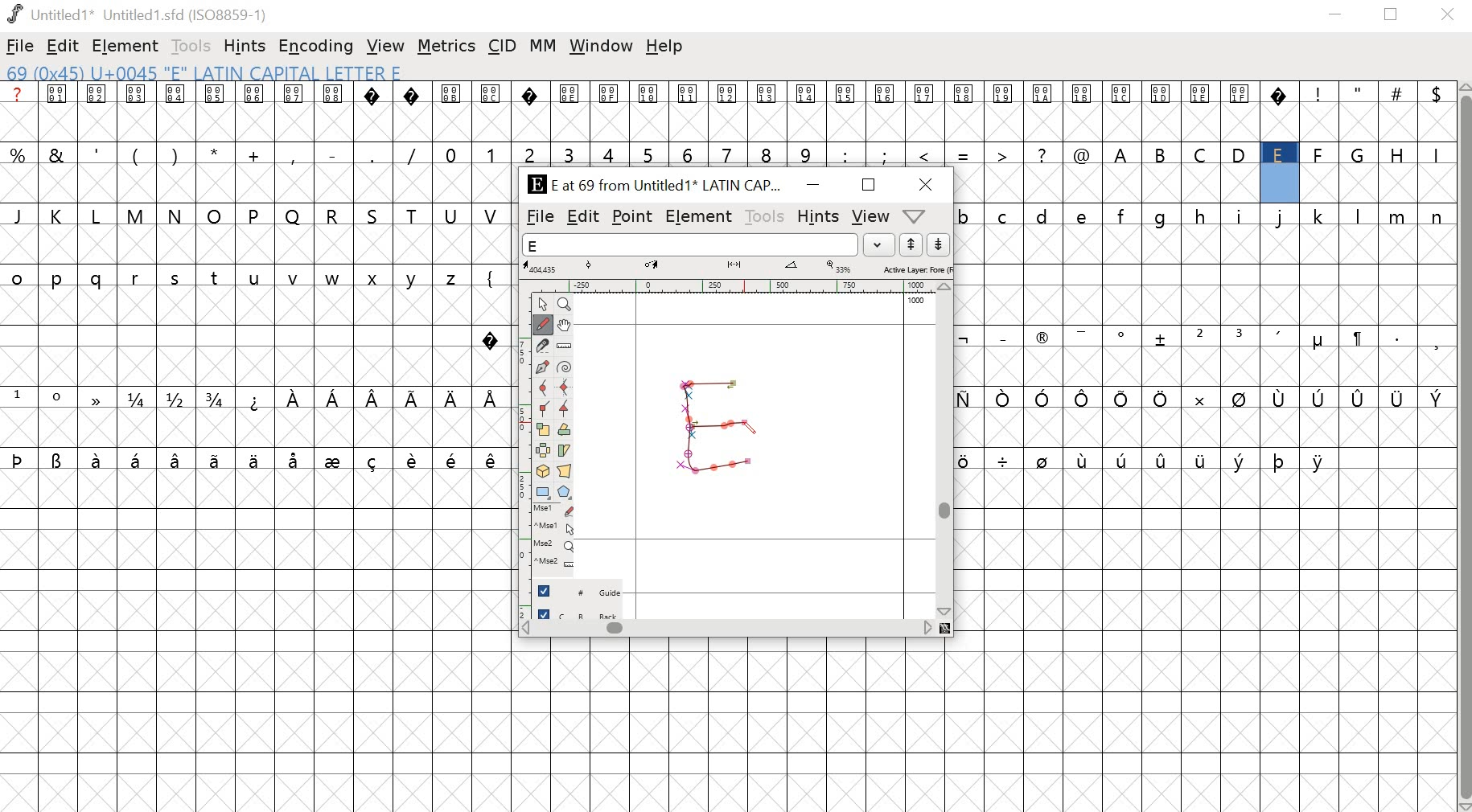 The image size is (1472, 812). I want to click on Ruler, so click(565, 345).